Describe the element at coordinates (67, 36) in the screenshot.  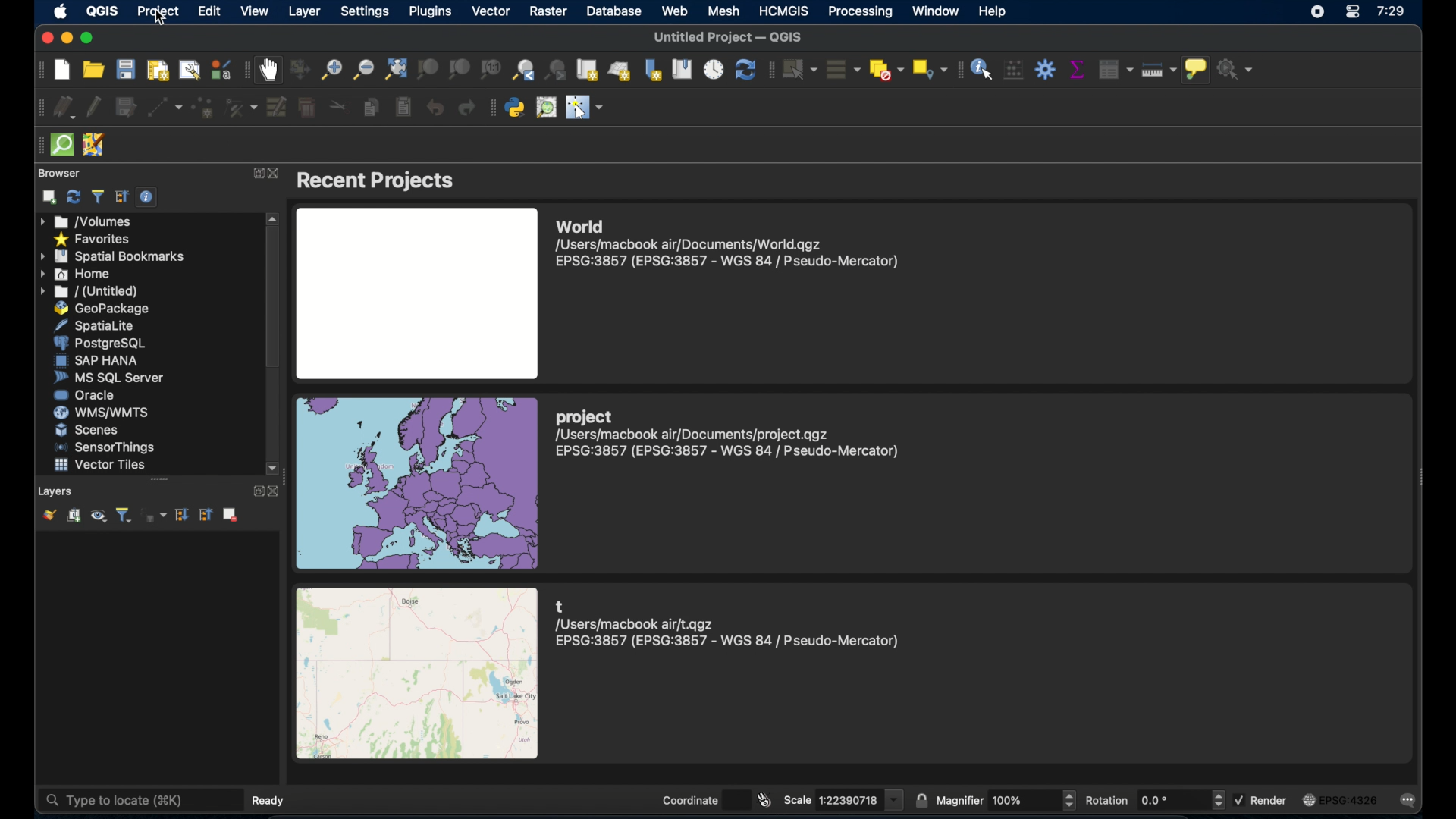
I see `minimize` at that location.